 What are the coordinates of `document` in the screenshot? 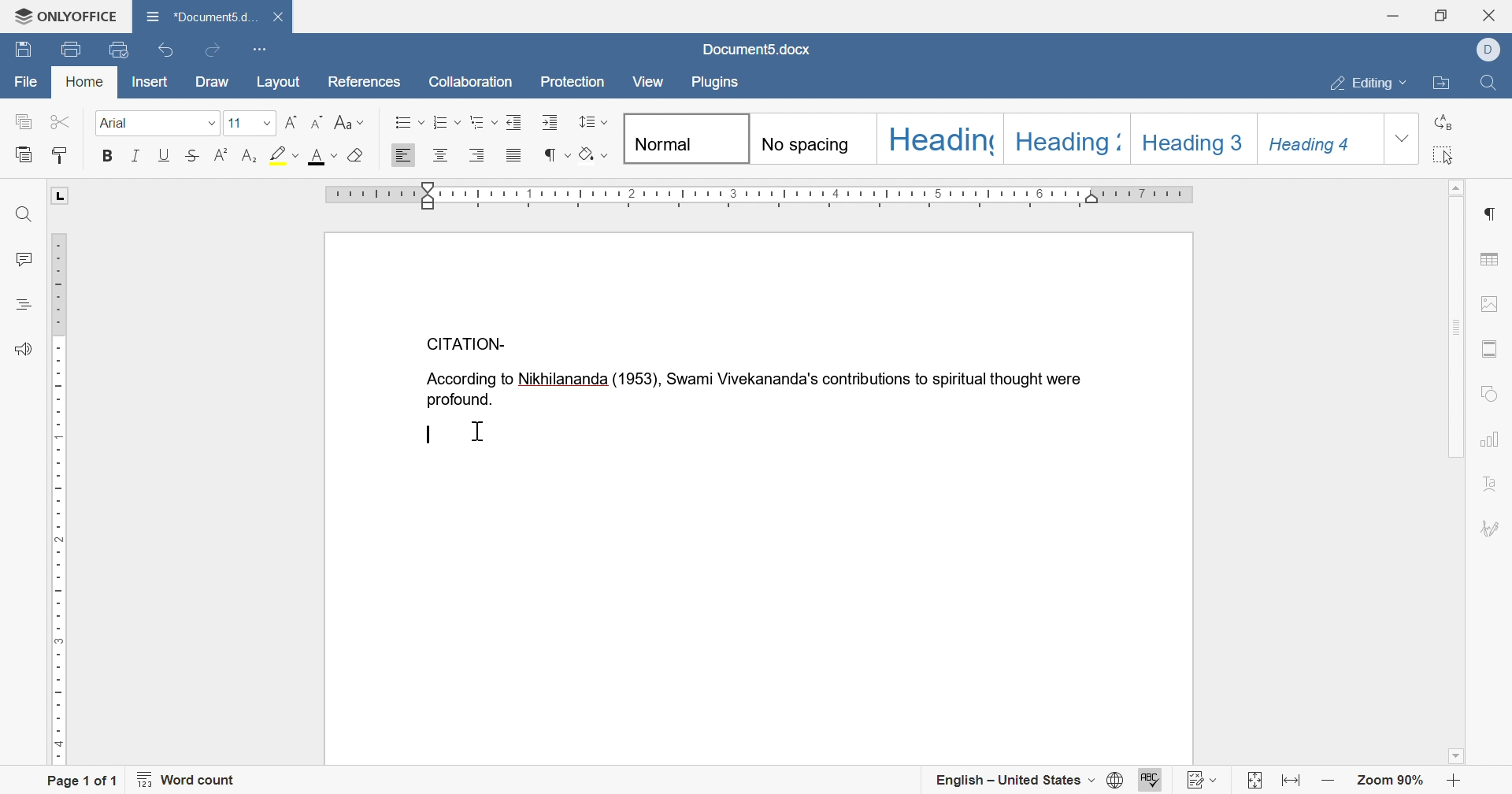 It's located at (202, 15).